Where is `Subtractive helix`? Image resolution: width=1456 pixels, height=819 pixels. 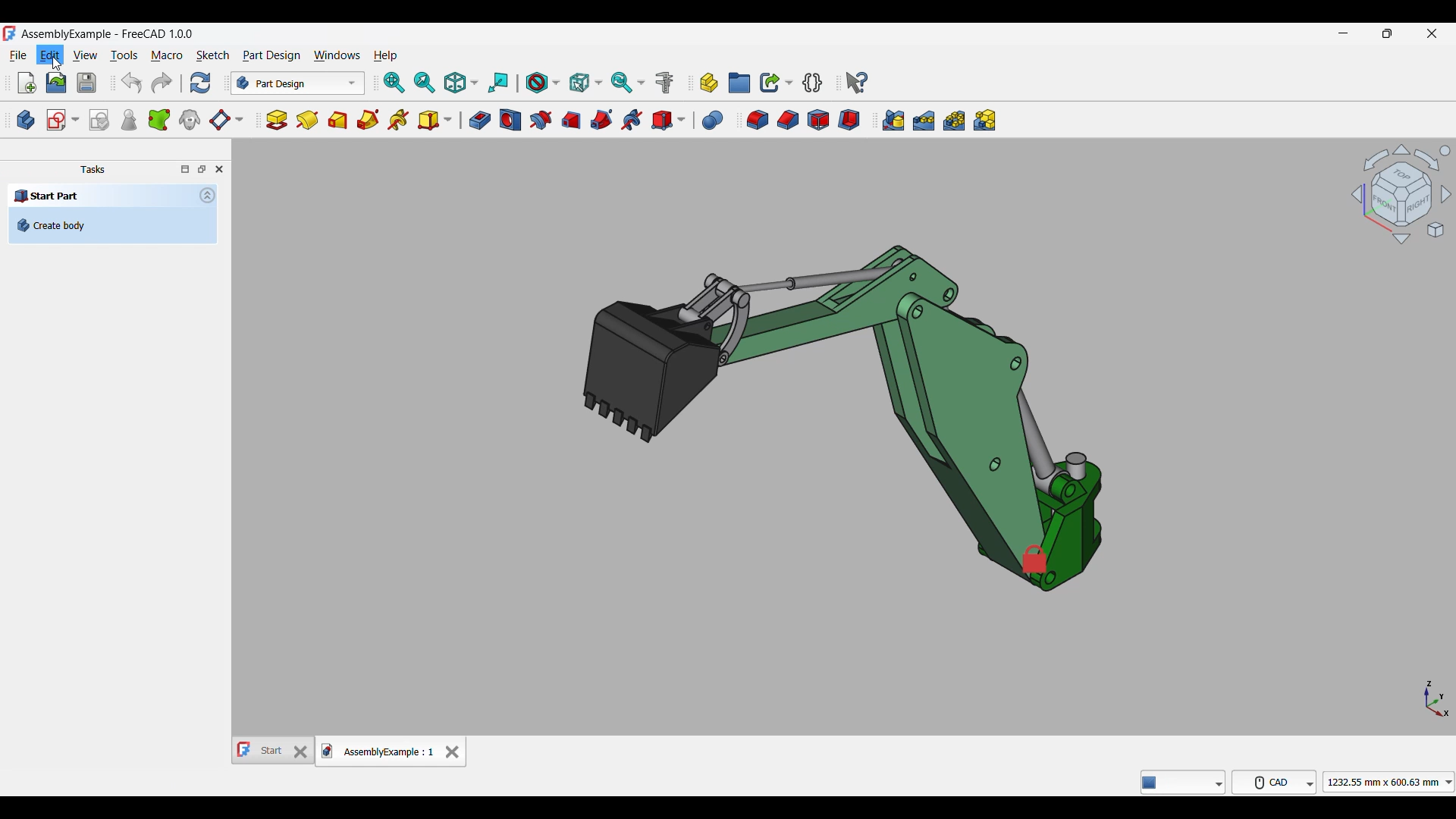
Subtractive helix is located at coordinates (631, 121).